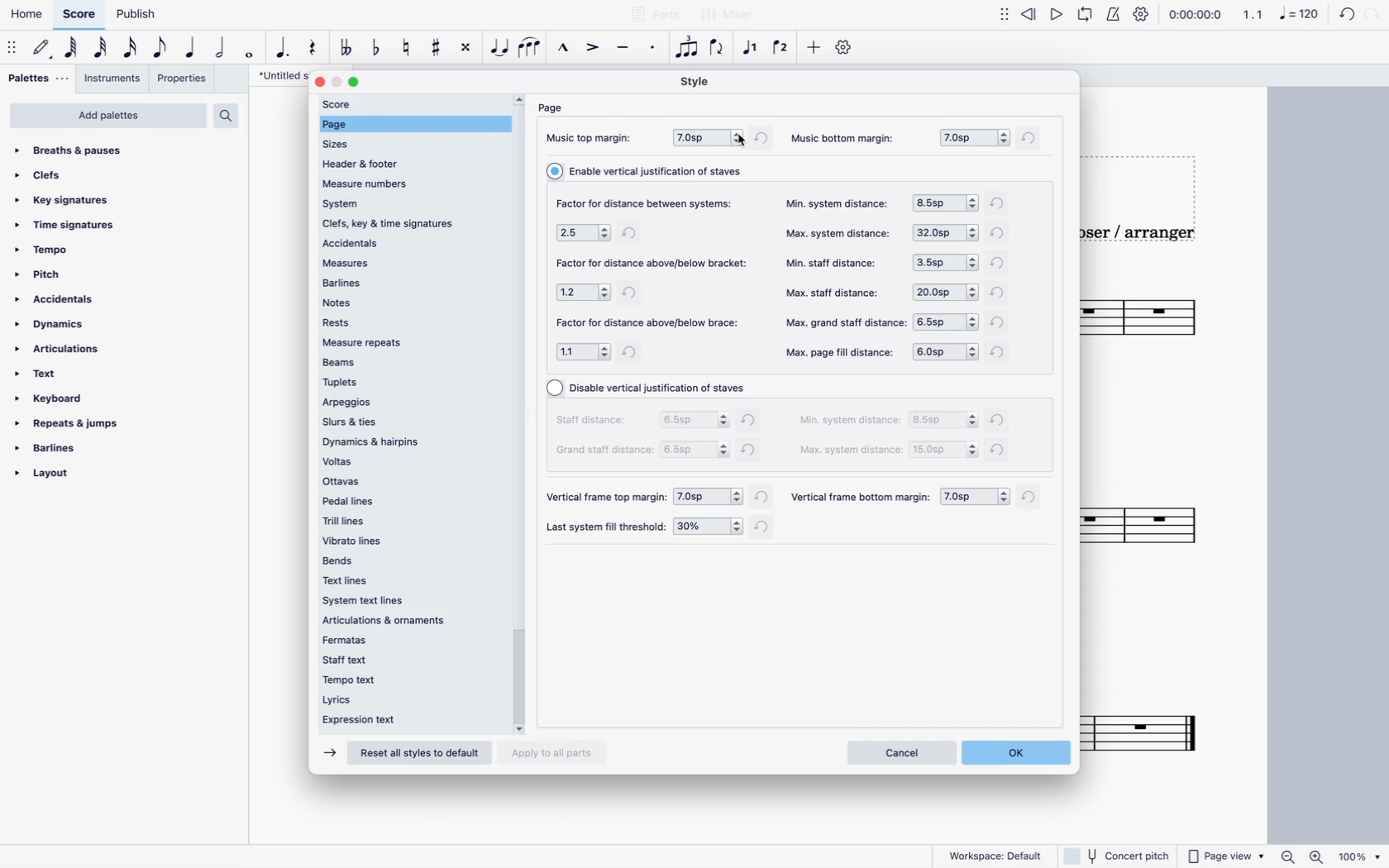  What do you see at coordinates (1363, 856) in the screenshot?
I see `zoom percentage` at bounding box center [1363, 856].